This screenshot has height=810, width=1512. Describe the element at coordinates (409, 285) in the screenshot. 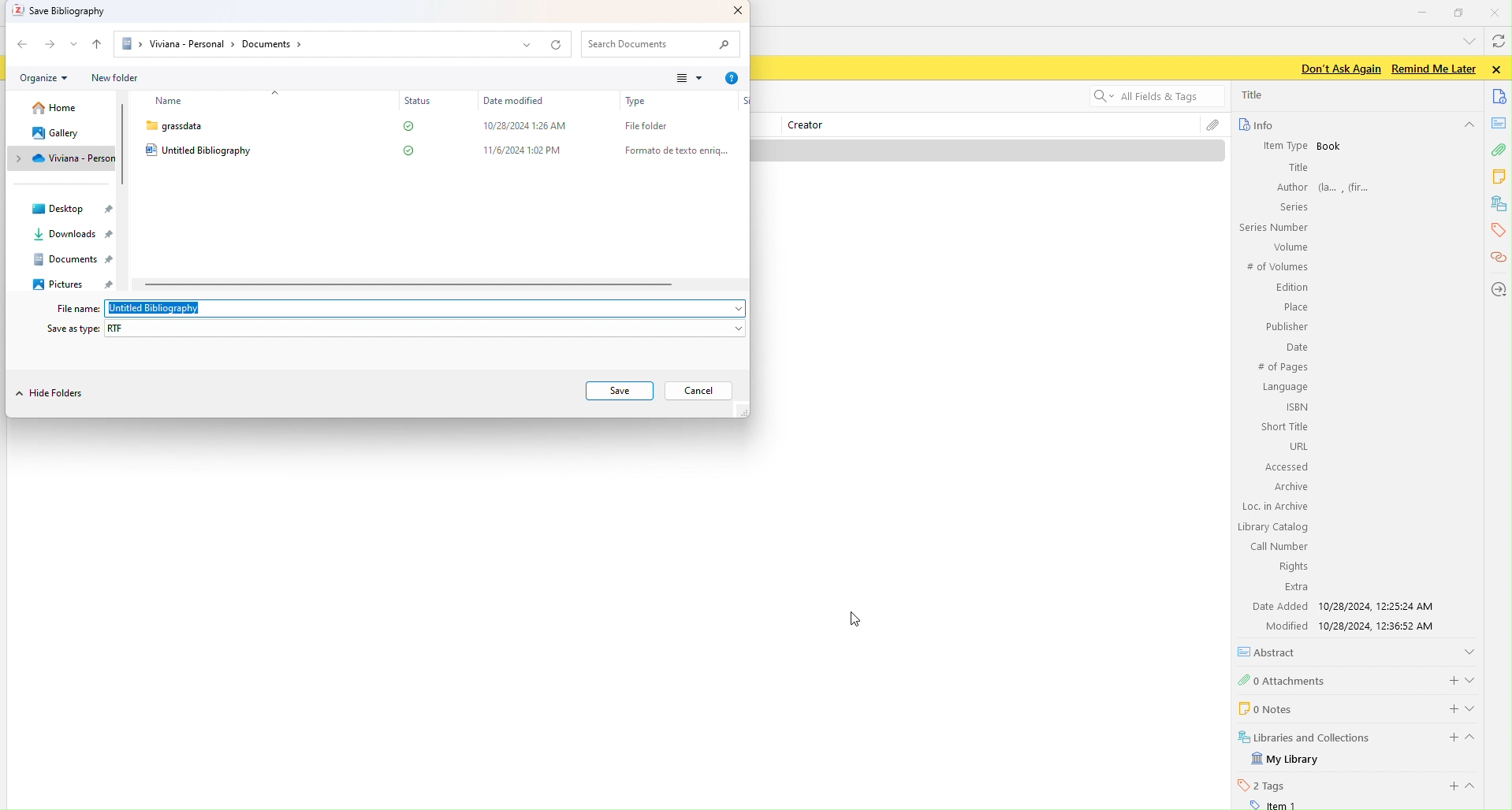

I see `scroll` at that location.